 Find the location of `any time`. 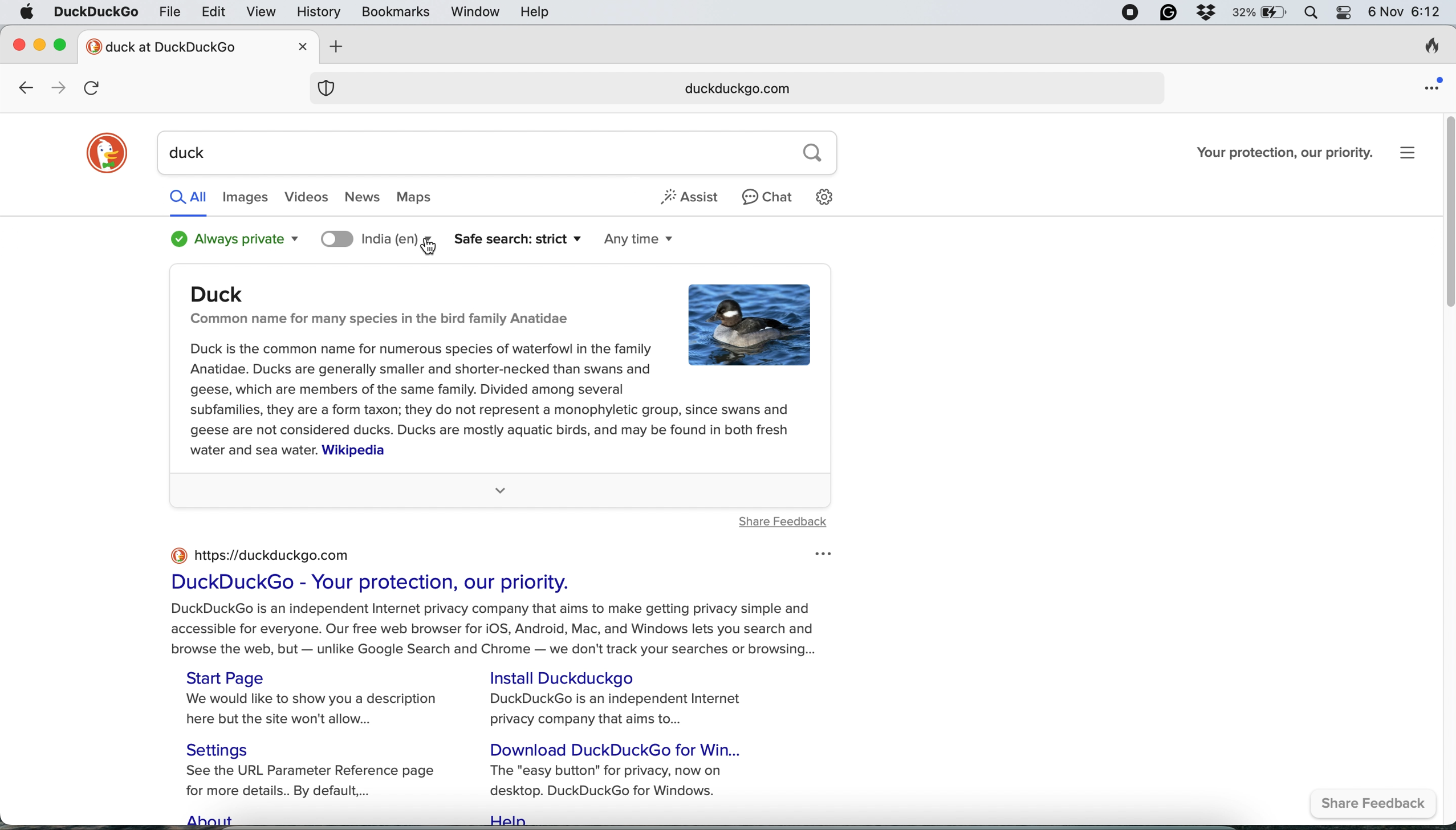

any time is located at coordinates (641, 241).